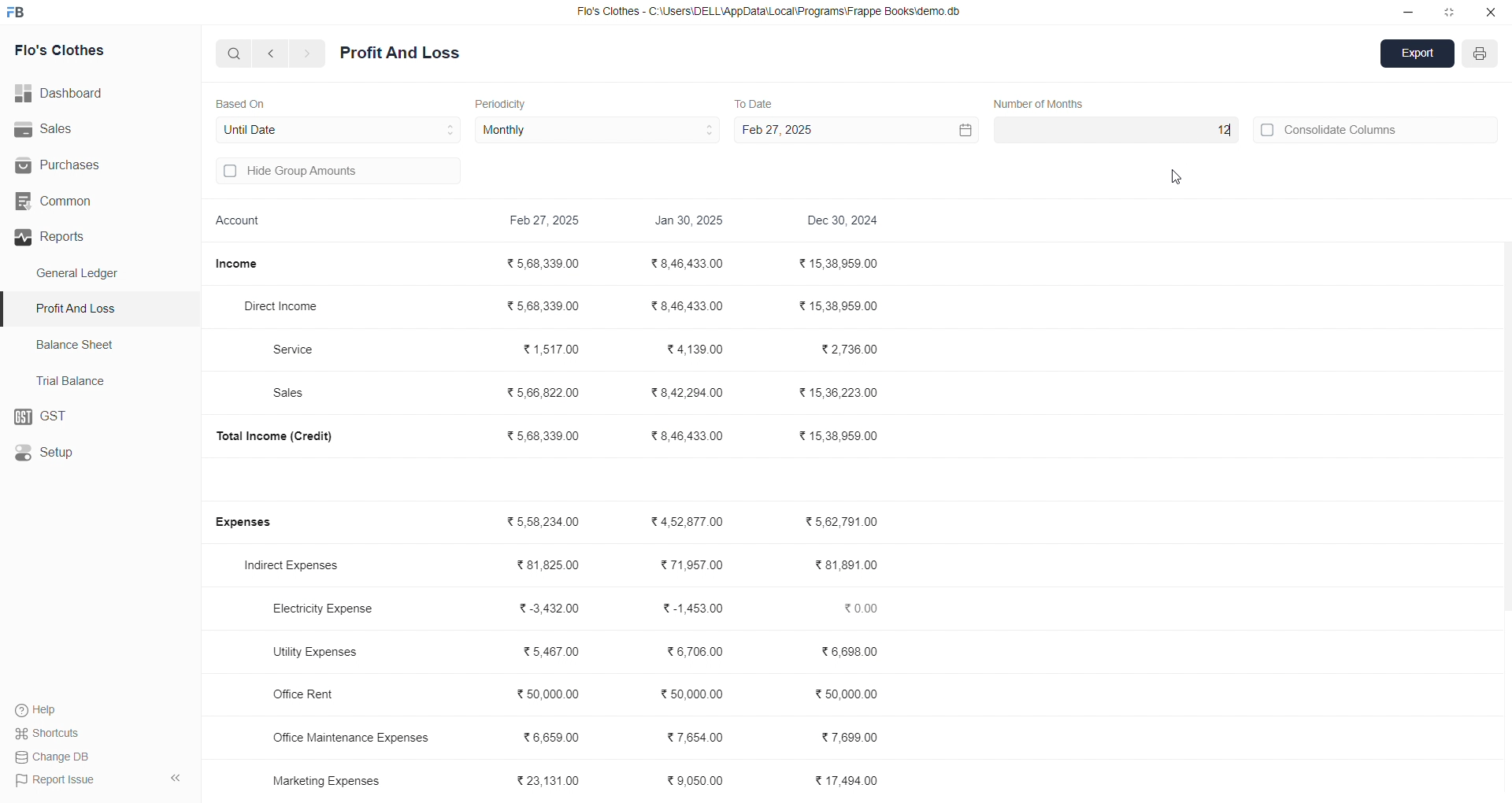 This screenshot has width=1512, height=803. What do you see at coordinates (43, 709) in the screenshot?
I see `Help` at bounding box center [43, 709].